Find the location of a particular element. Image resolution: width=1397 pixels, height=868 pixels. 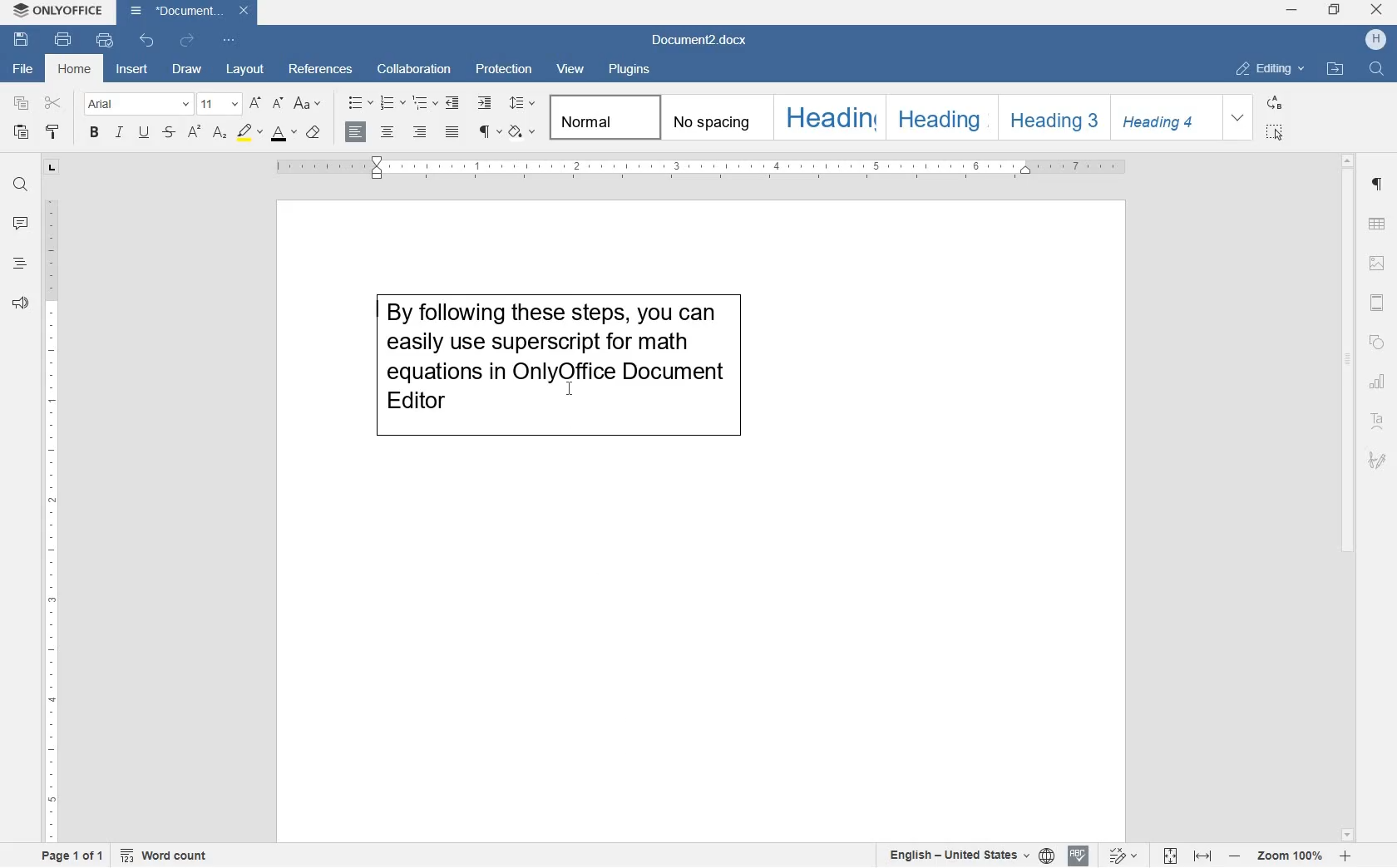

cut is located at coordinates (52, 103).